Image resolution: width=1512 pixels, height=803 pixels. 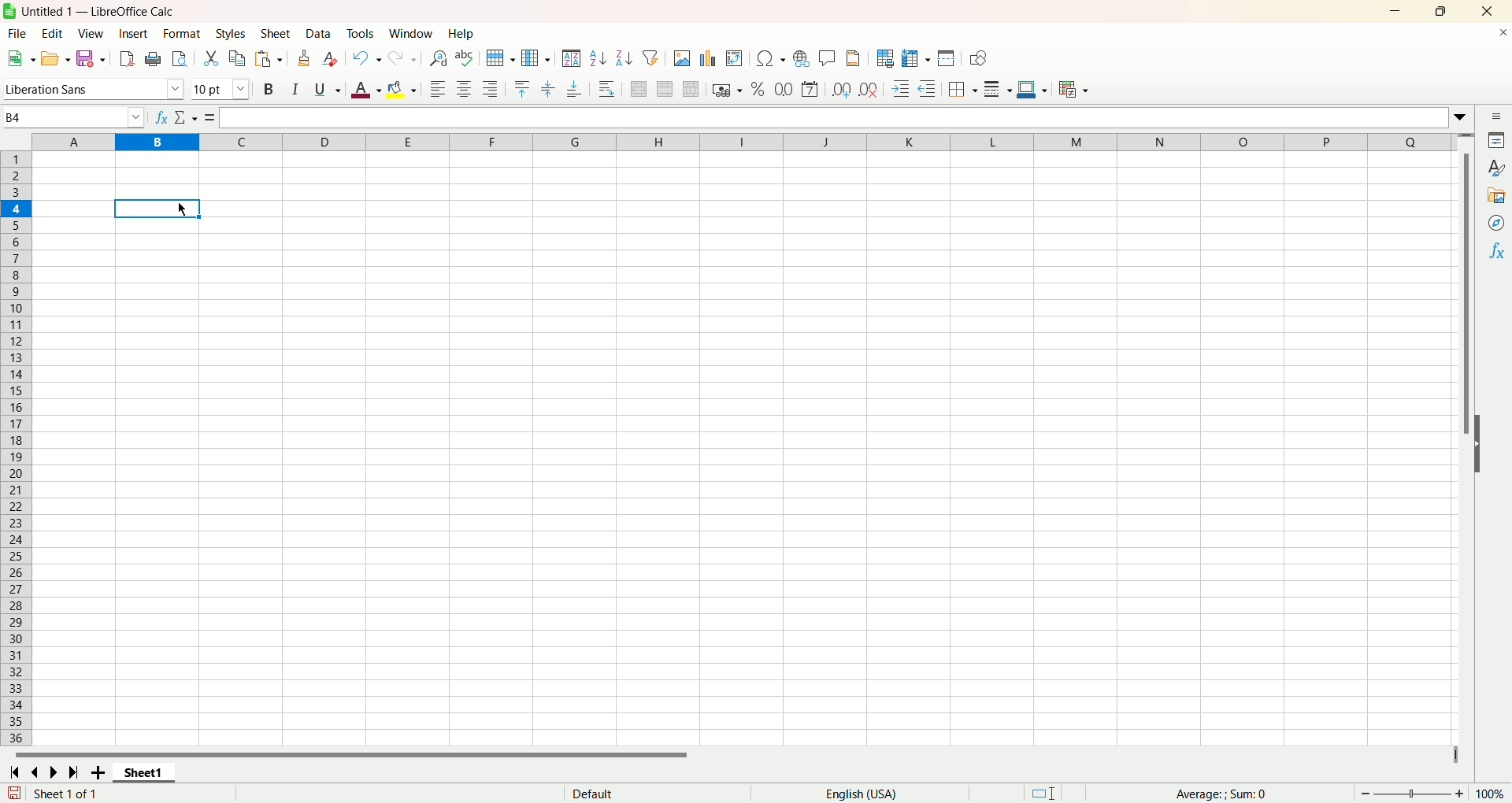 I want to click on format, so click(x=181, y=33).